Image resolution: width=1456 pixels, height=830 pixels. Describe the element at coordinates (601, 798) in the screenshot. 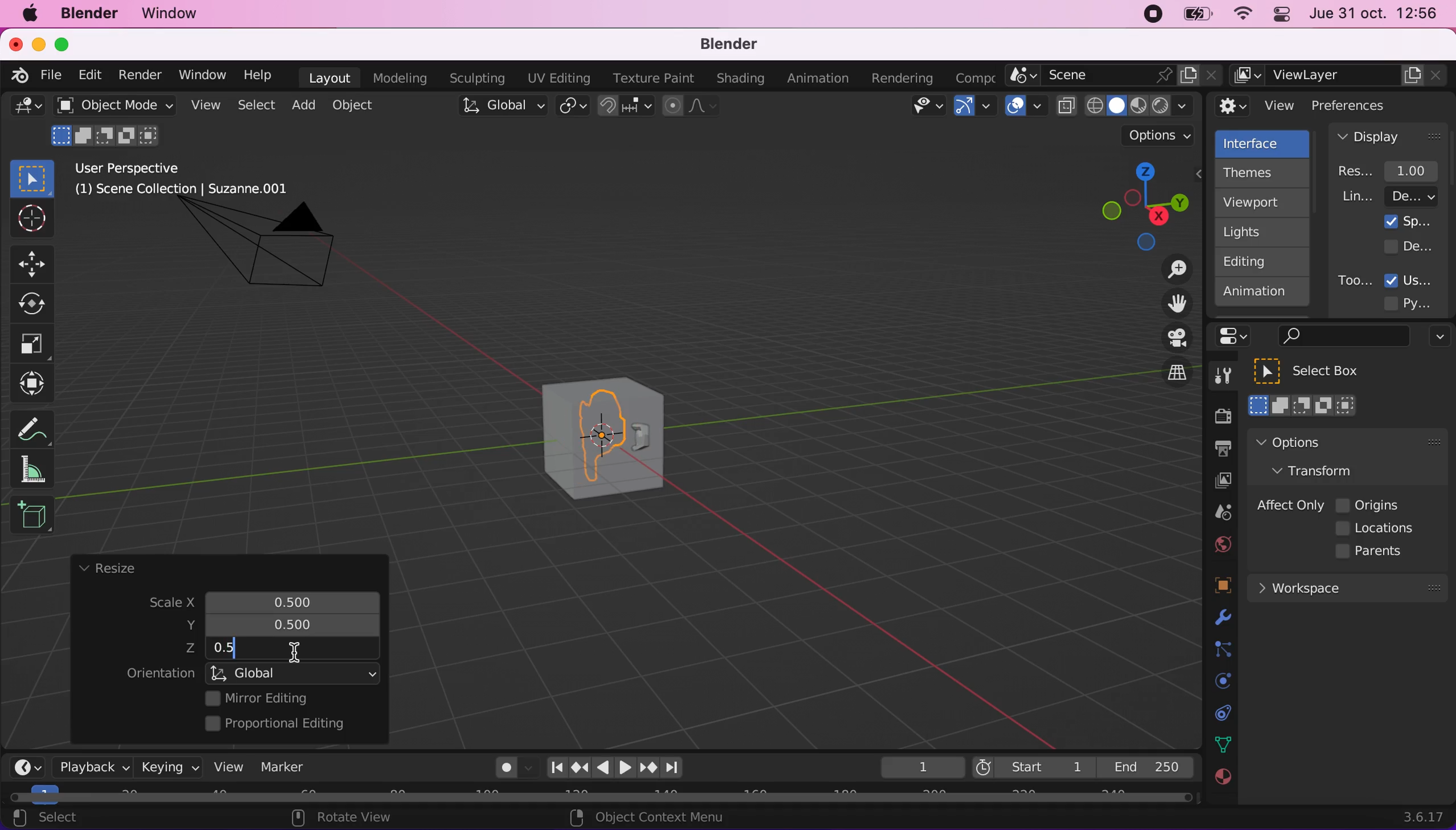

I see `horizontal scroll bar` at that location.